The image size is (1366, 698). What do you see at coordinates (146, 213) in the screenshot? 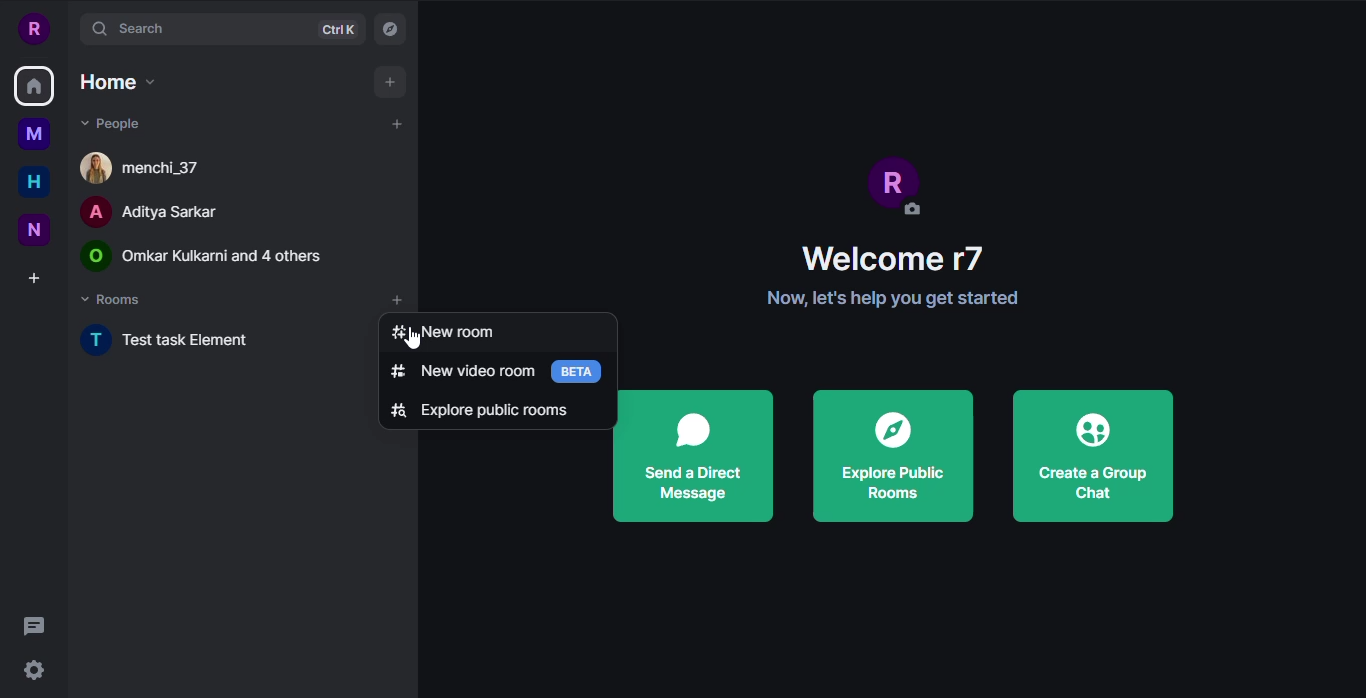
I see `people` at bounding box center [146, 213].